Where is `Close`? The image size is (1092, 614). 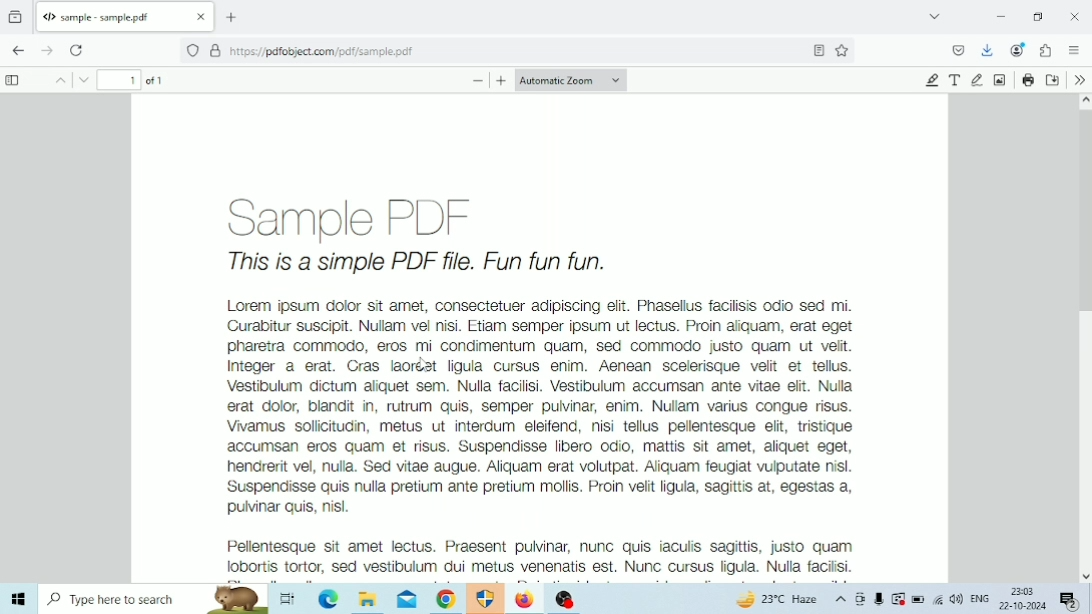
Close is located at coordinates (1076, 17).